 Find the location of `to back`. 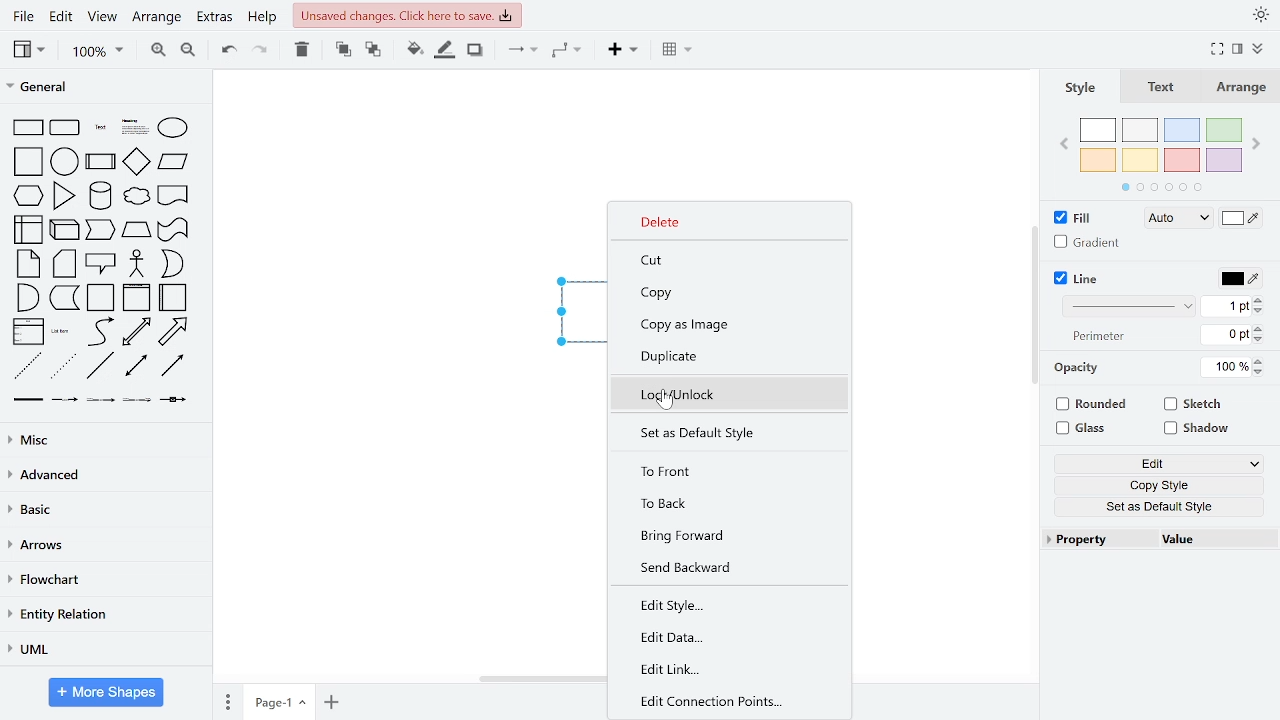

to back is located at coordinates (722, 503).